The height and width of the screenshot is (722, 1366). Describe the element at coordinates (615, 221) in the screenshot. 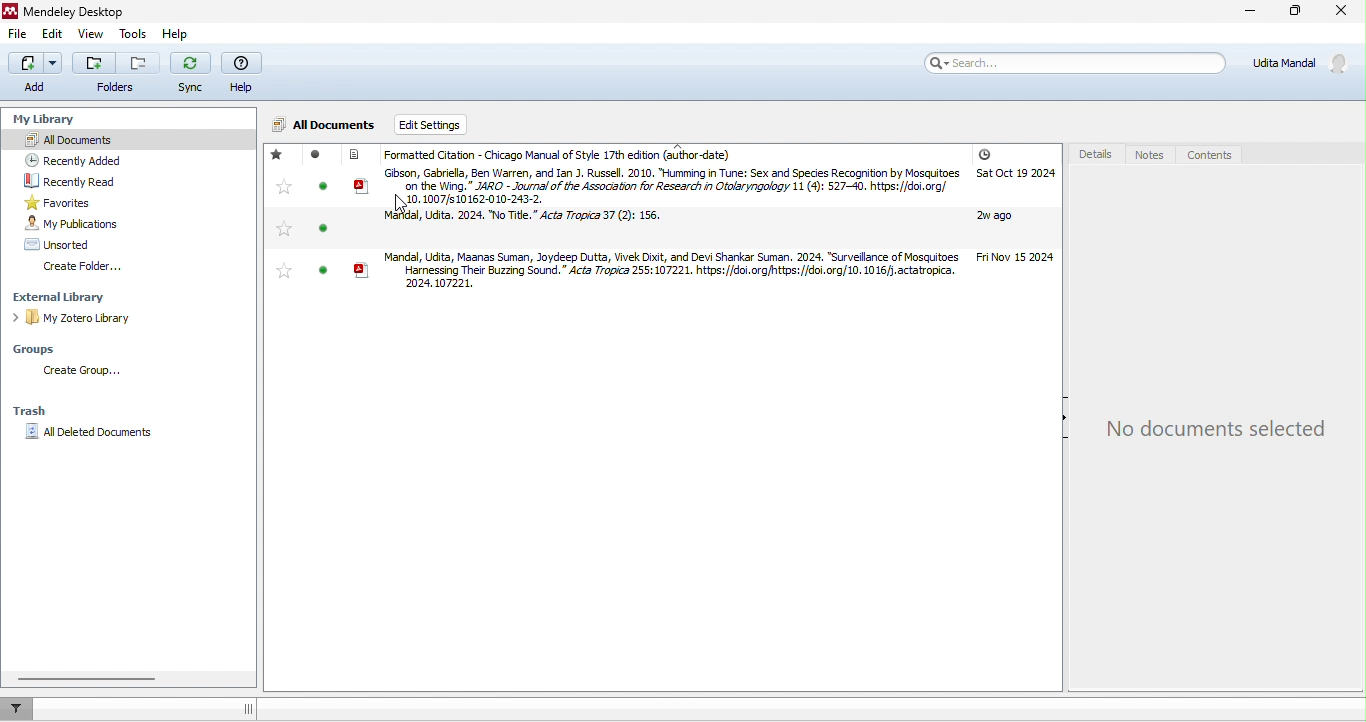

I see `Formatted Citation - Chicago Manual of Style 17th edition (suthor-date)

Gbson, Gabriela, Ben Warren, and Ian J. Russel. 2010. "Humming in Tune: Sex and Specs Recogritin by Mosquitoes.
on the Wing.” JARO - Journal of the Association for Research in Otolaryngology 11 (4): 5270. hts: jdoi.oral

[yo 0710182012432
, Udita. 2024. Mo Tie.” Acta Tropica 37 (2): 156.

Mandal, Udta, Maanas Suman, Joydeep Dutta, Vivek Dit, and Devi Sharkar Suman. 2024. “Survedlance of Mosquitoes
Harnessing Ther Buzzing Sound.” Acta T700ica 255: 107221. https:/dol.org ttos:/dol.org/ 10. 1016. actatropica.
024107221.` at that location.